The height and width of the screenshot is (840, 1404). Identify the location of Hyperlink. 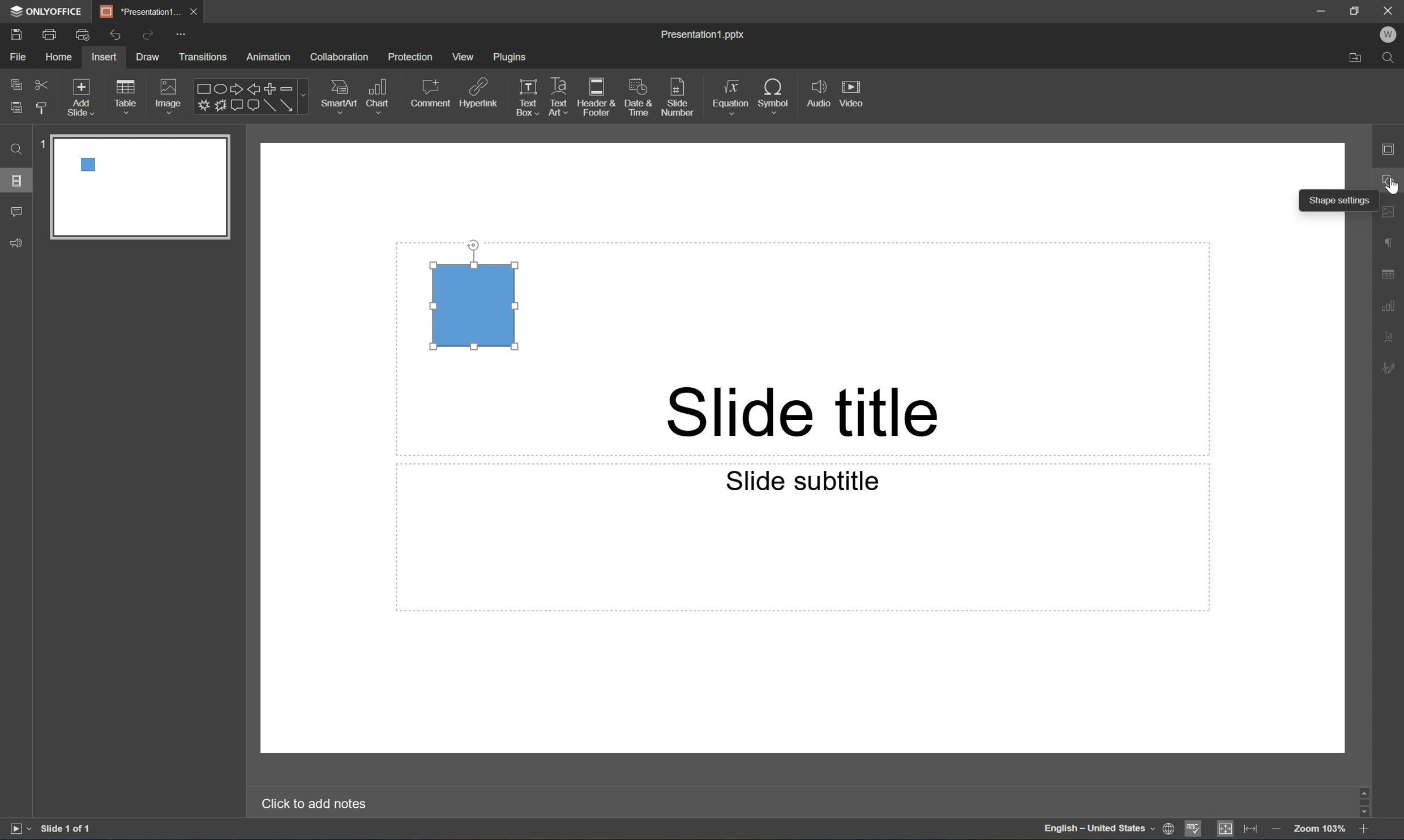
(479, 91).